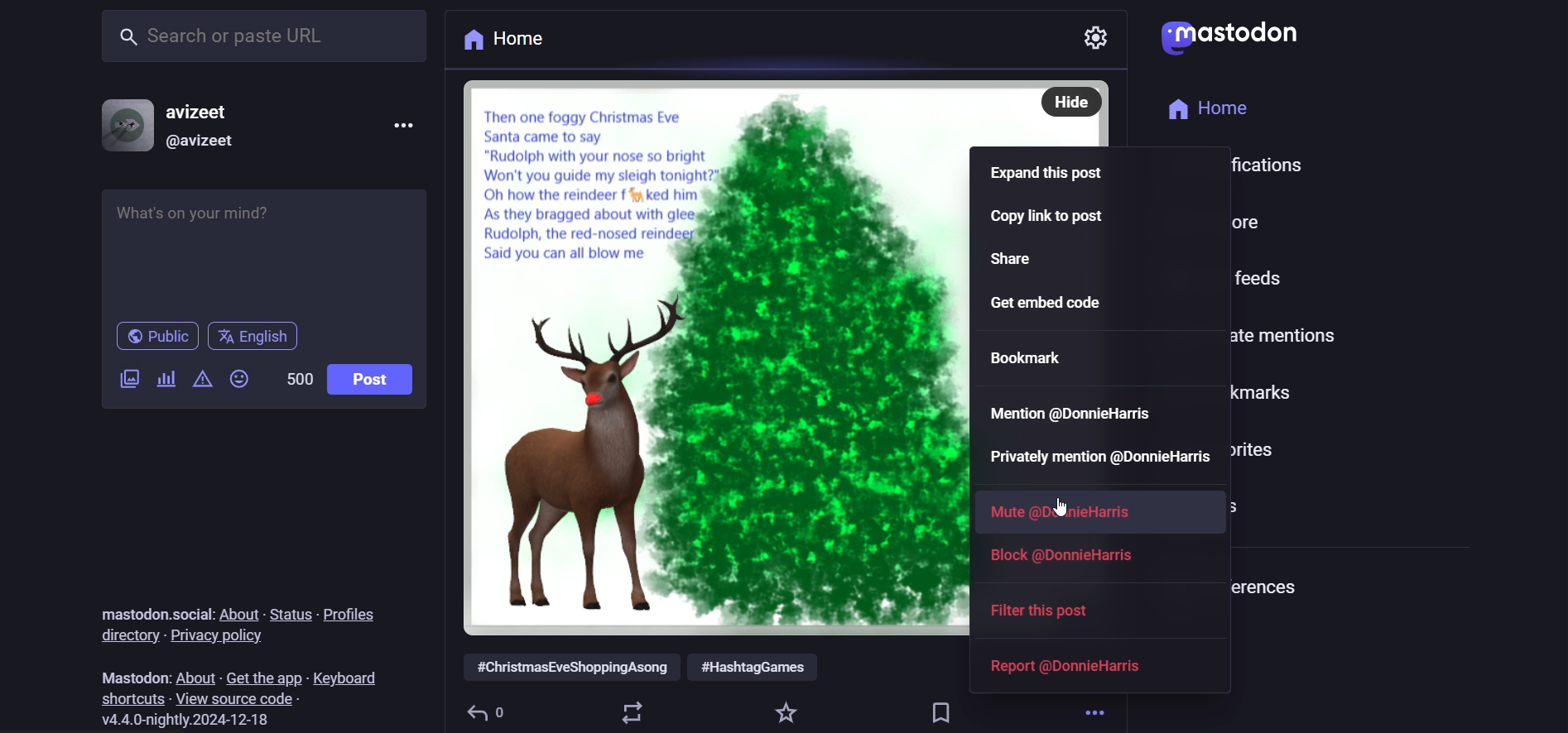 This screenshot has height=733, width=1568. Describe the element at coordinates (204, 109) in the screenshot. I see `avizeet (name)` at that location.